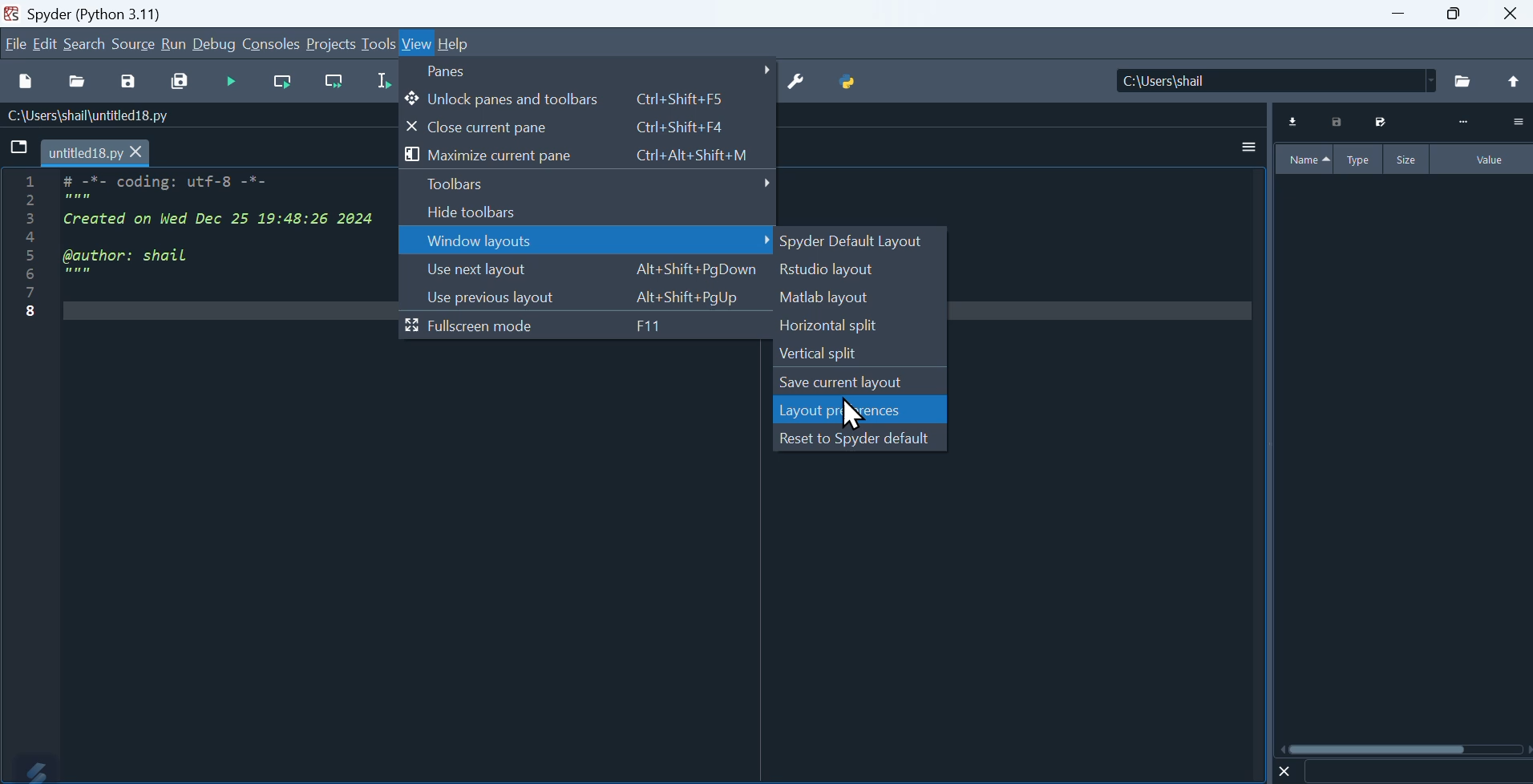 The image size is (1533, 784). I want to click on Value, so click(1483, 160).